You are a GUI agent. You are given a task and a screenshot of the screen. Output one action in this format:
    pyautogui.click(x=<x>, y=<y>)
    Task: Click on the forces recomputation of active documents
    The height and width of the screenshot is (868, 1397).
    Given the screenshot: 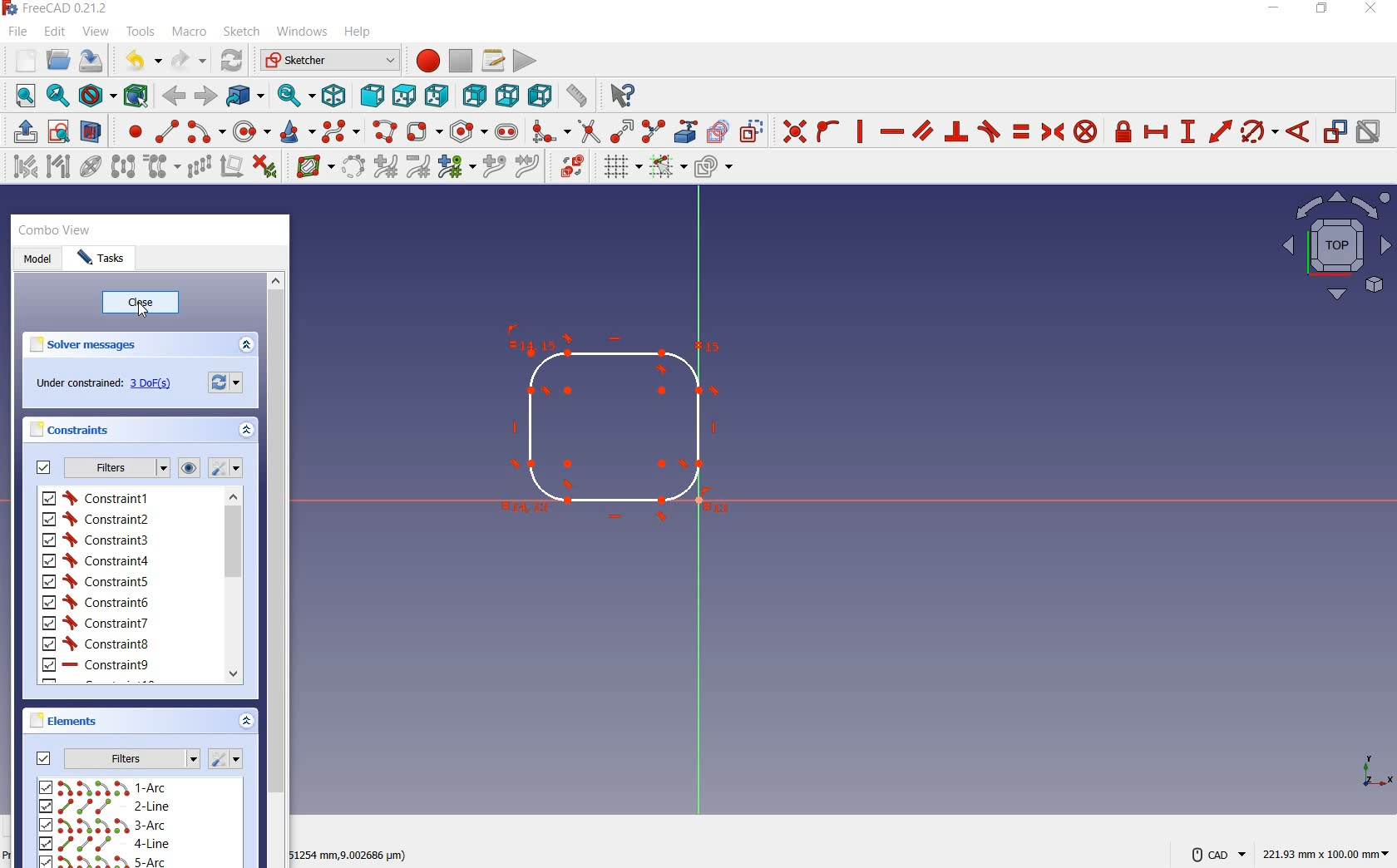 What is the action you would take?
    pyautogui.click(x=225, y=383)
    